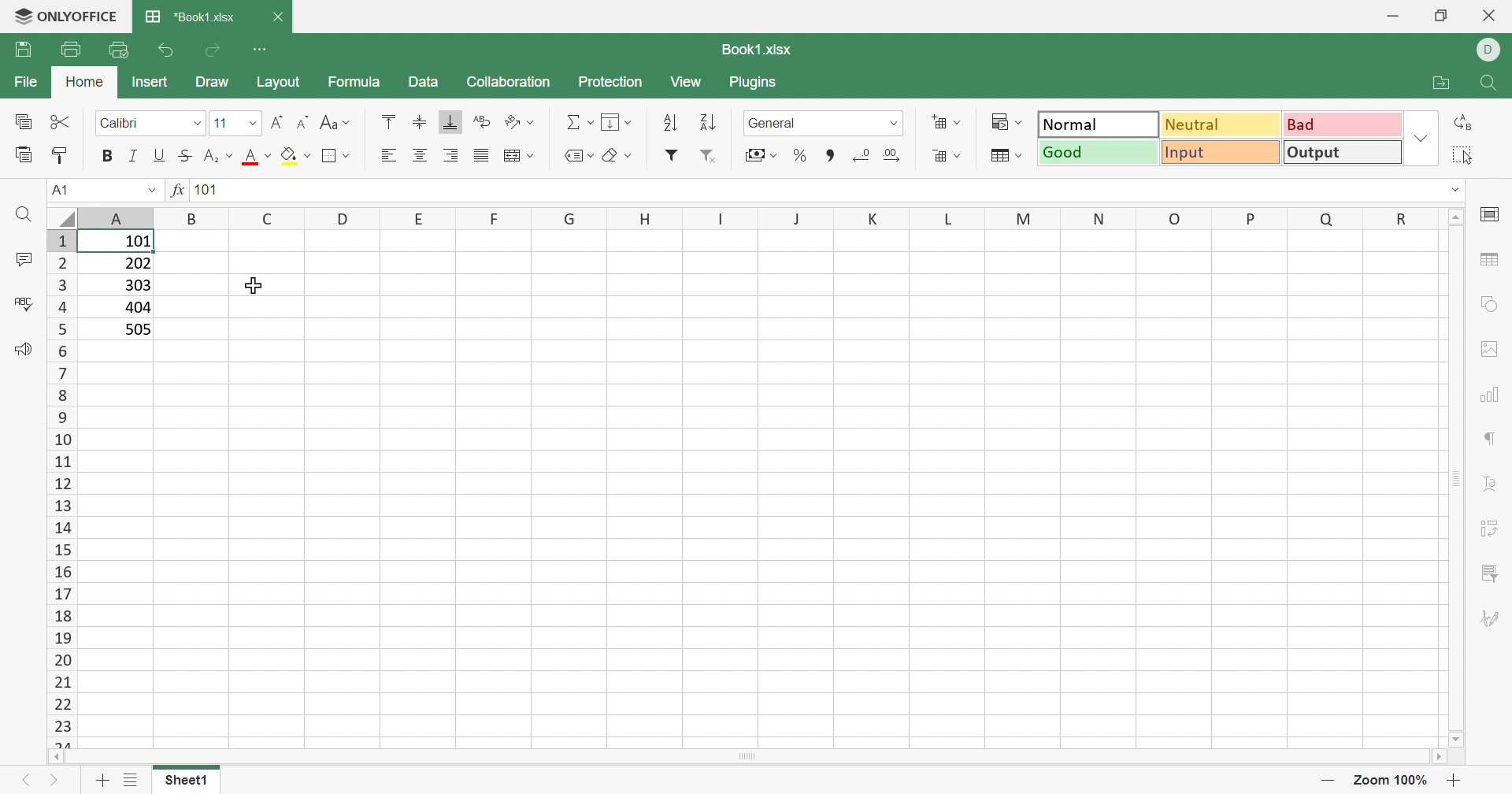 The width and height of the screenshot is (1512, 794). What do you see at coordinates (55, 783) in the screenshot?
I see `Next` at bounding box center [55, 783].